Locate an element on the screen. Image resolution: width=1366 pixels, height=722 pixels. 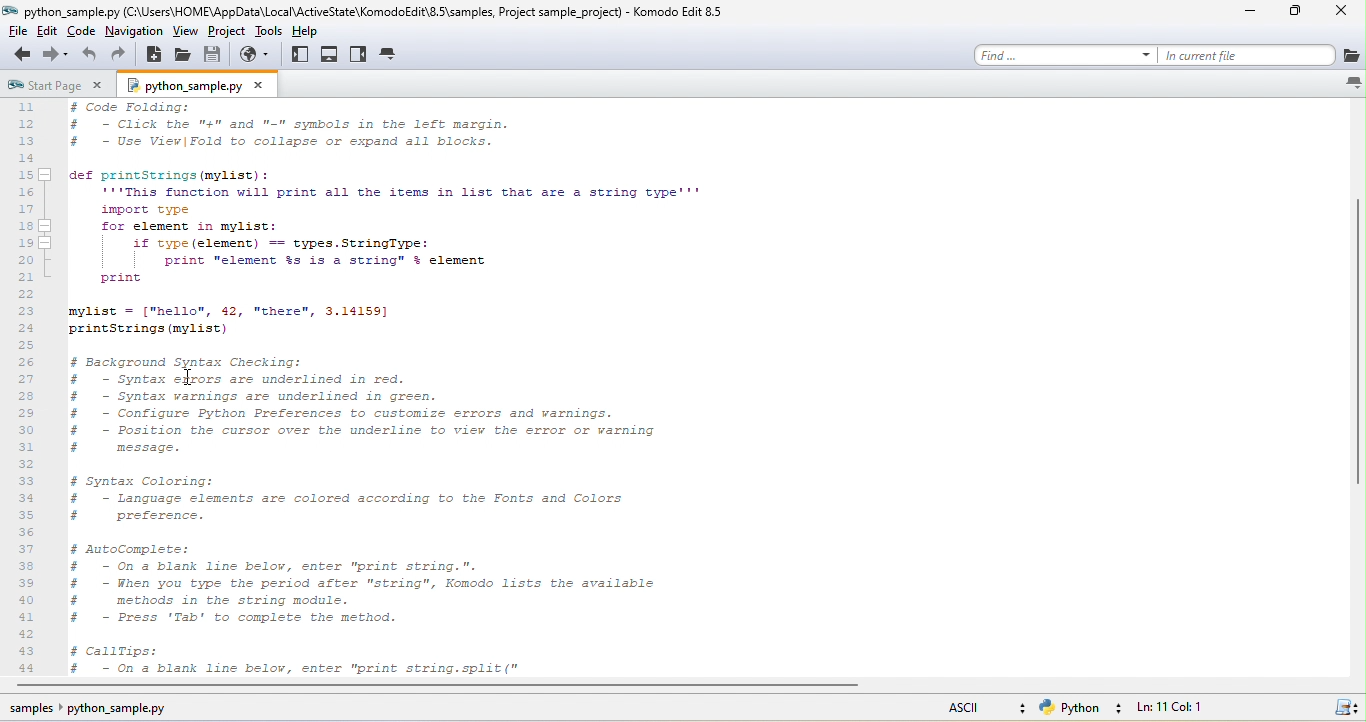
redo is located at coordinates (120, 58).